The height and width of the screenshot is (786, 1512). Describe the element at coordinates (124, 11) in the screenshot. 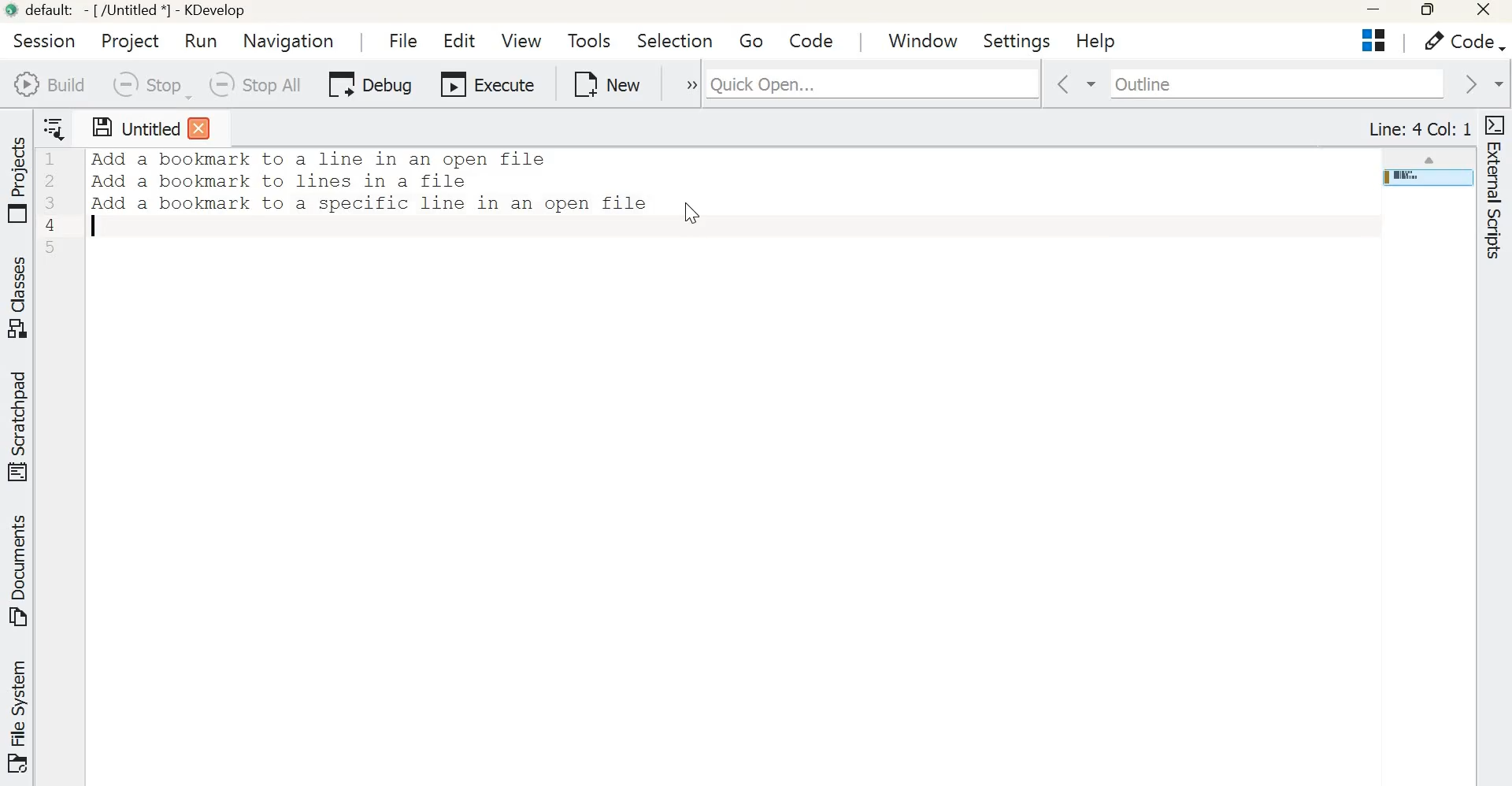

I see `default - [/Untitled*] -  Kdevelop` at that location.